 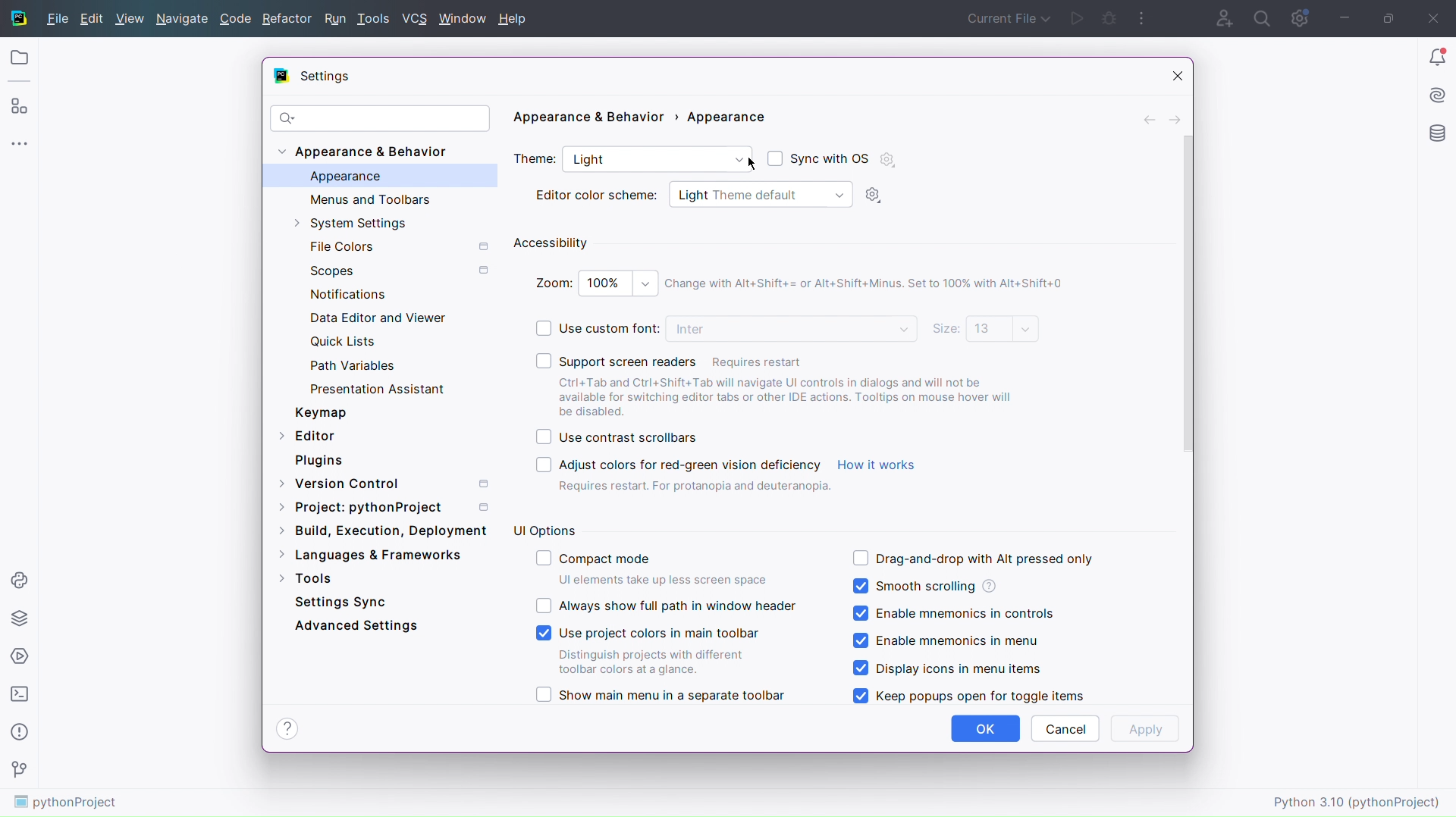 I want to click on Code, so click(x=237, y=18).